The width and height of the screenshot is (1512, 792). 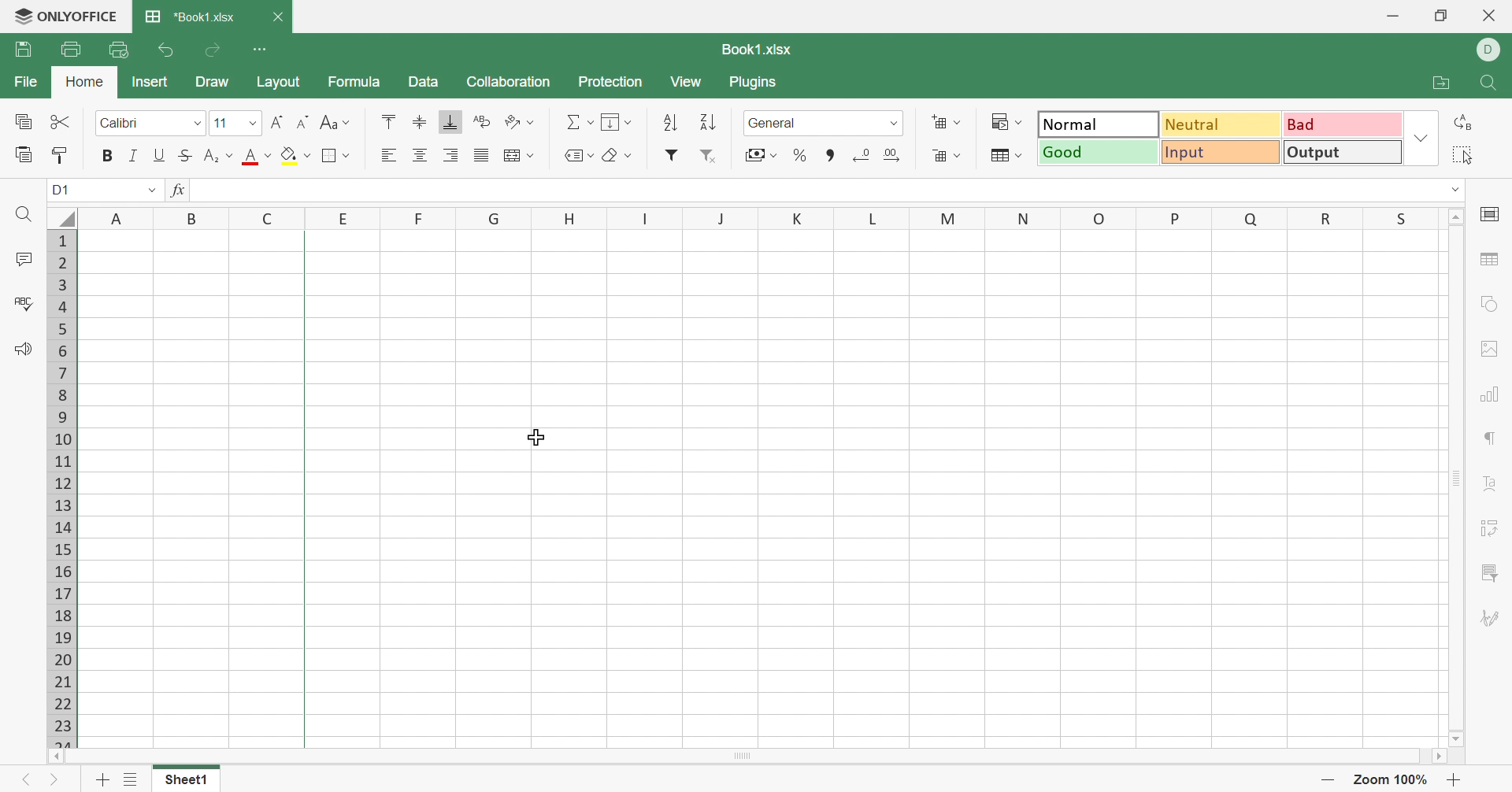 I want to click on Insert filter, so click(x=672, y=154).